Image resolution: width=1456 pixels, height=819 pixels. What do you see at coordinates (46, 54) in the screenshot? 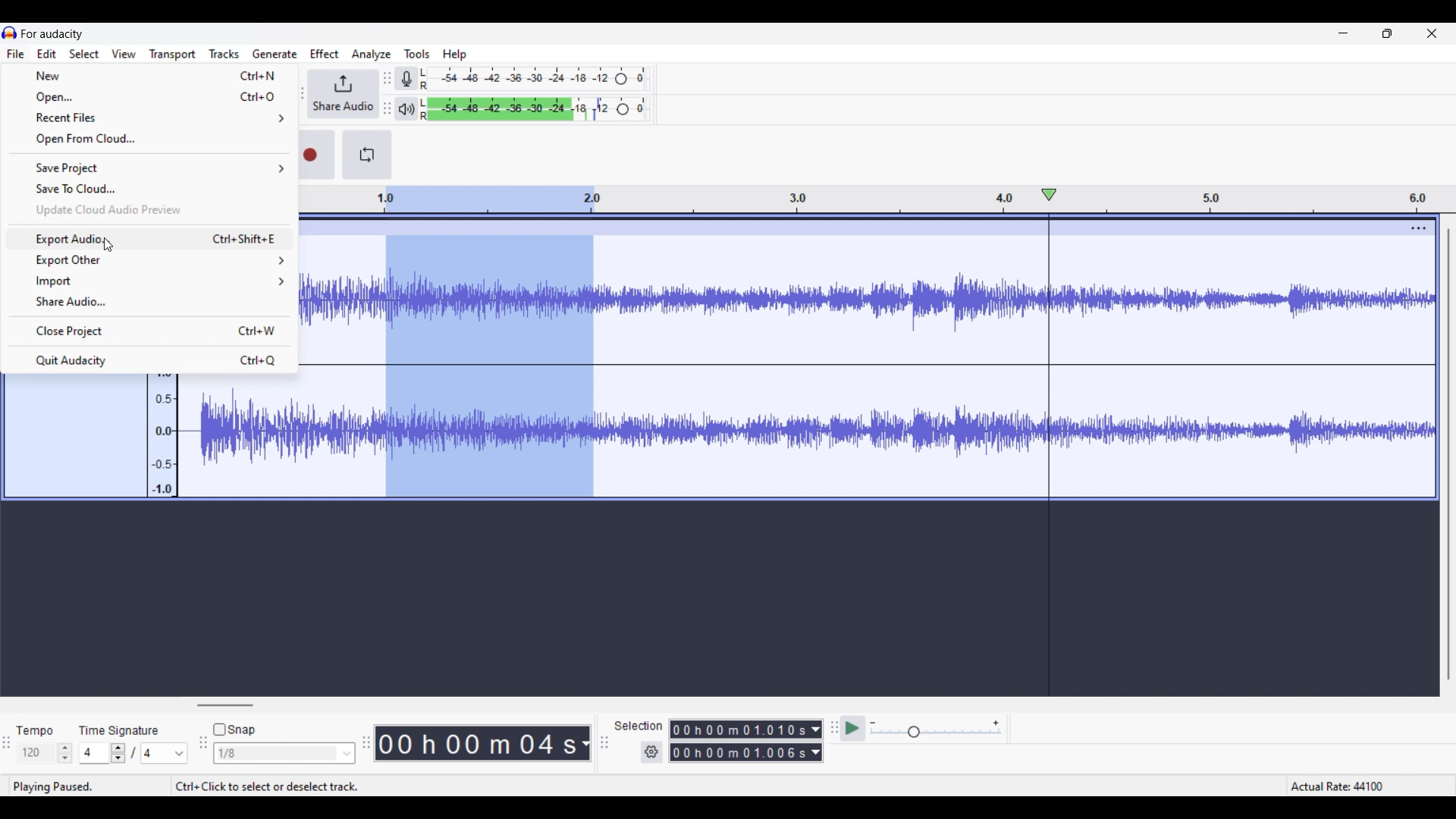
I see `Edit menu` at bounding box center [46, 54].